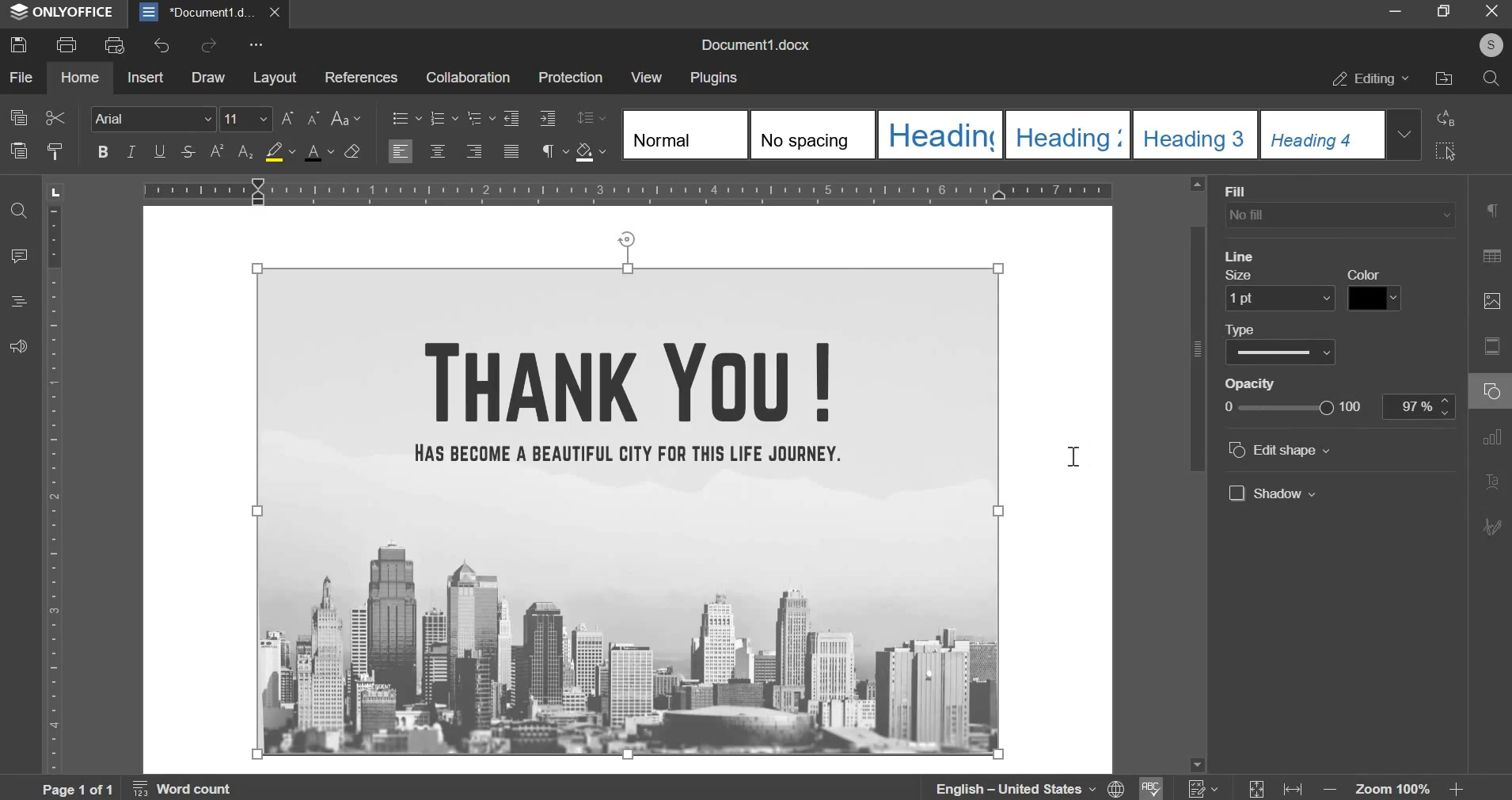 This screenshot has height=800, width=1512. What do you see at coordinates (1282, 346) in the screenshot?
I see `Type` at bounding box center [1282, 346].